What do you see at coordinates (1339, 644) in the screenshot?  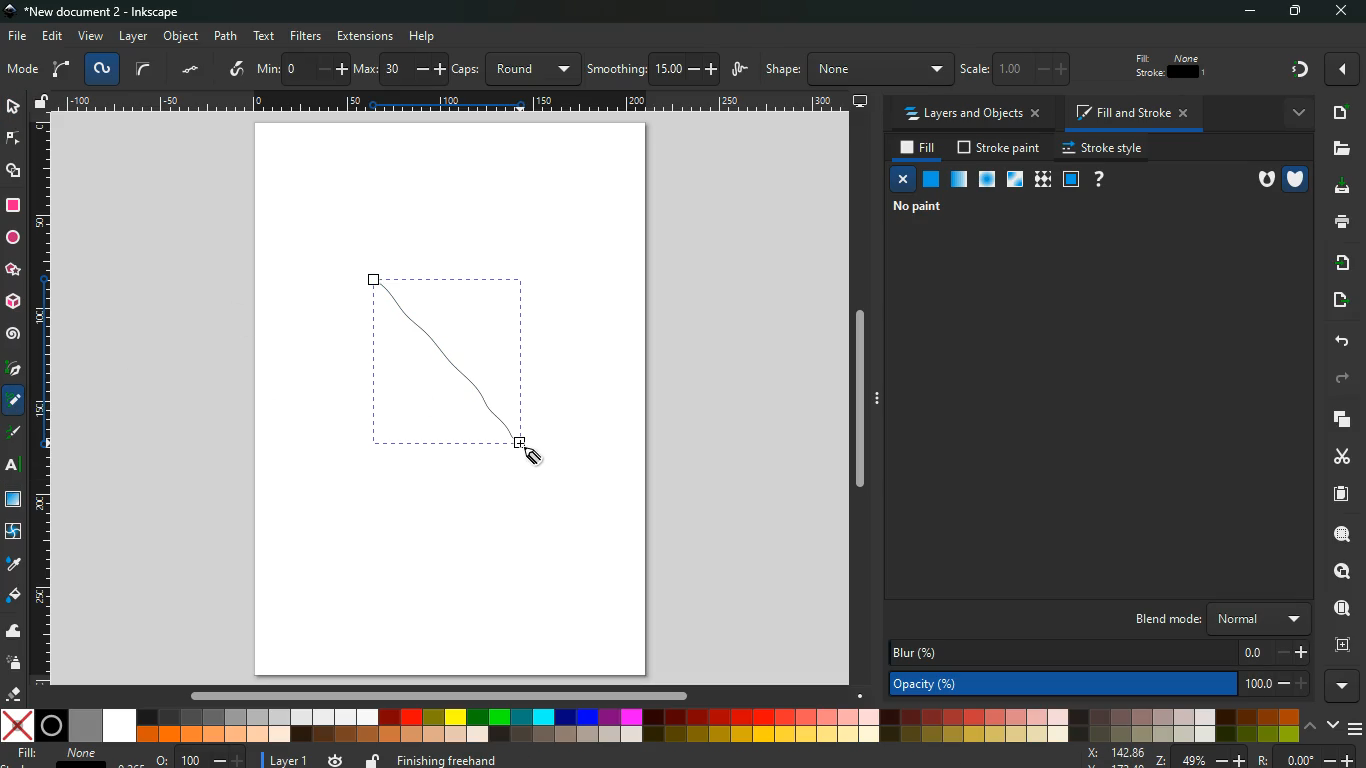 I see `frame` at bounding box center [1339, 644].